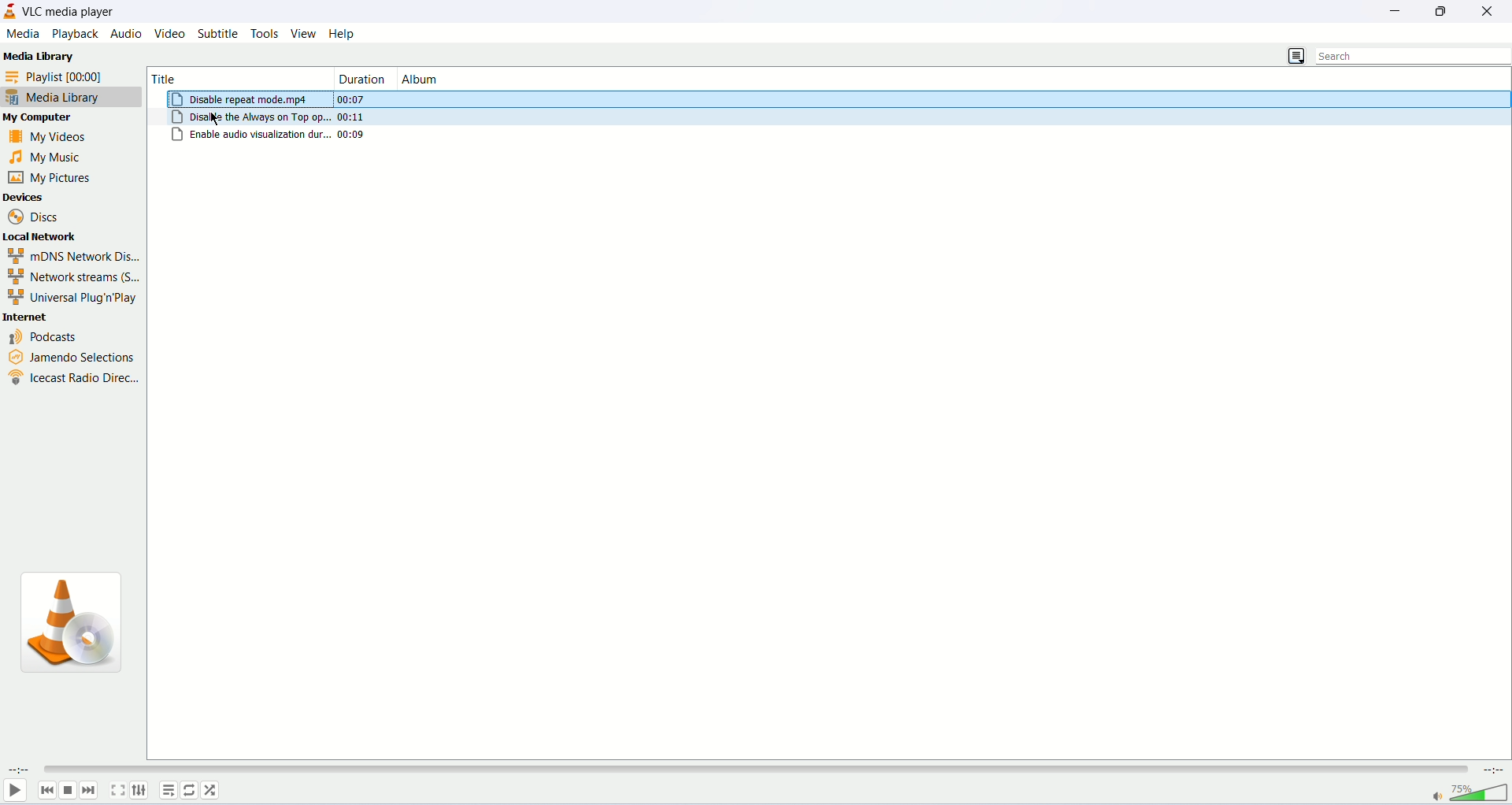 Image resolution: width=1512 pixels, height=805 pixels. Describe the element at coordinates (188, 791) in the screenshot. I see `toggle loop` at that location.